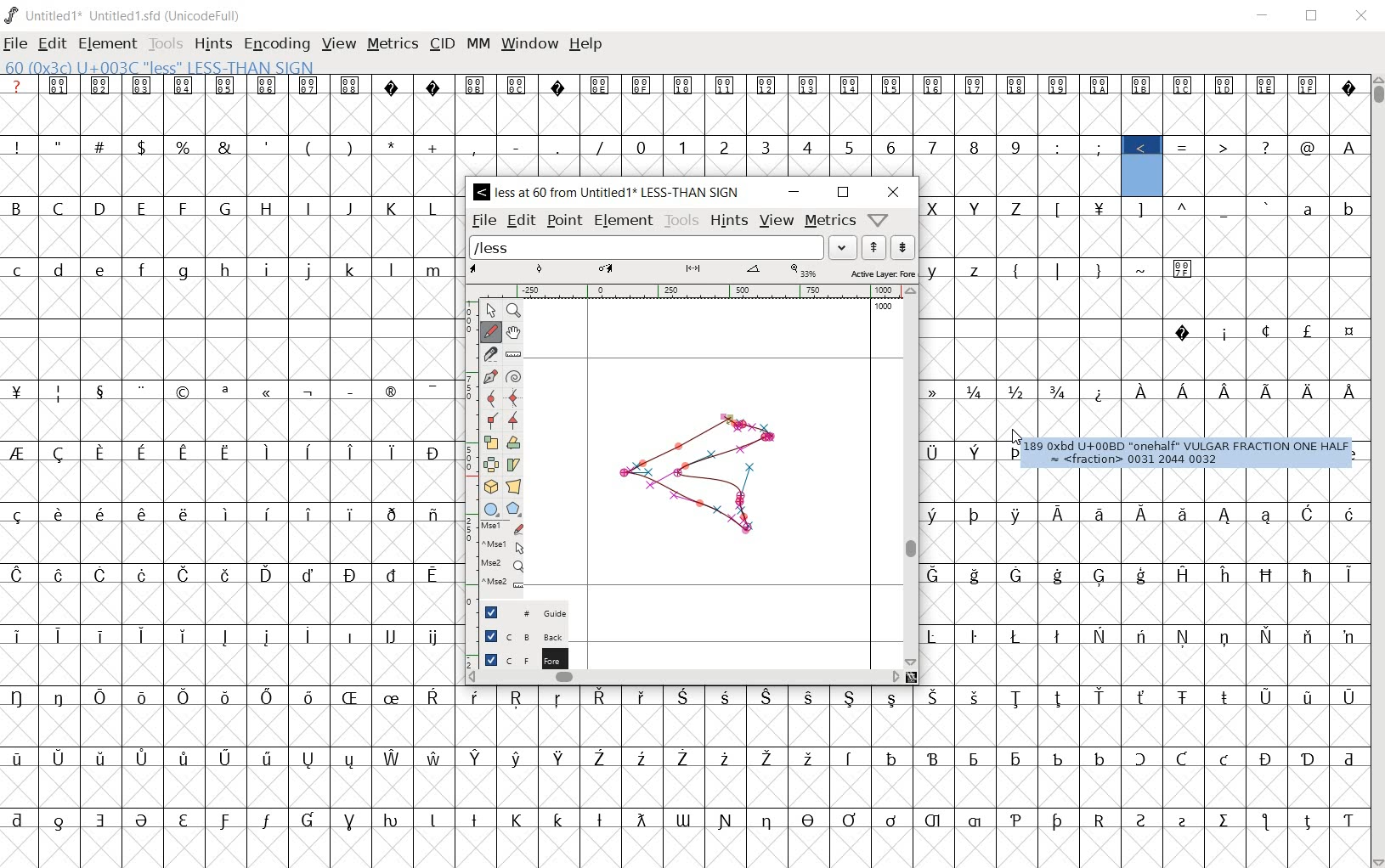 The height and width of the screenshot is (868, 1385). Describe the element at coordinates (1101, 268) in the screenshot. I see `symbols` at that location.